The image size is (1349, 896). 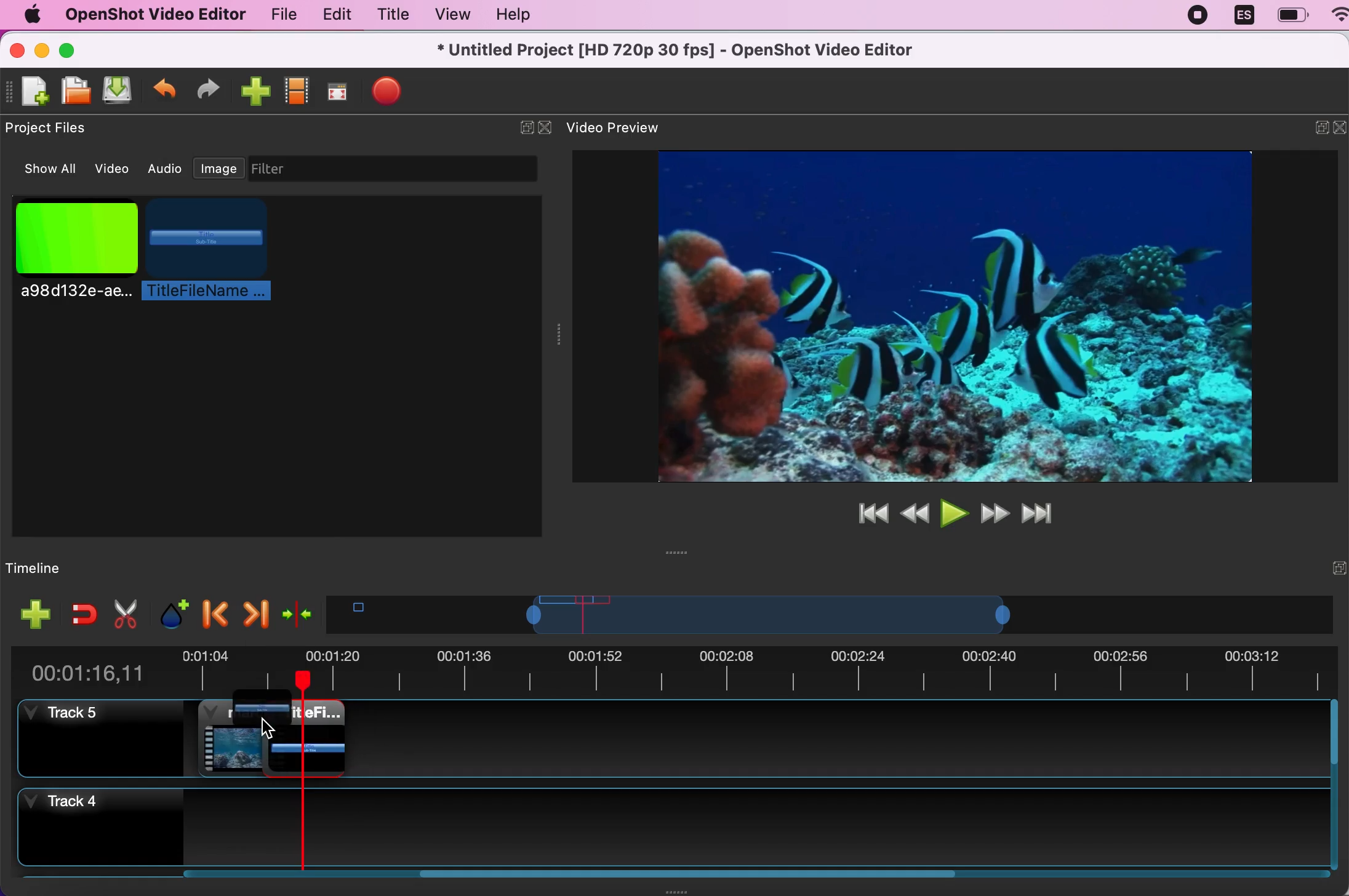 I want to click on add marker, so click(x=169, y=612).